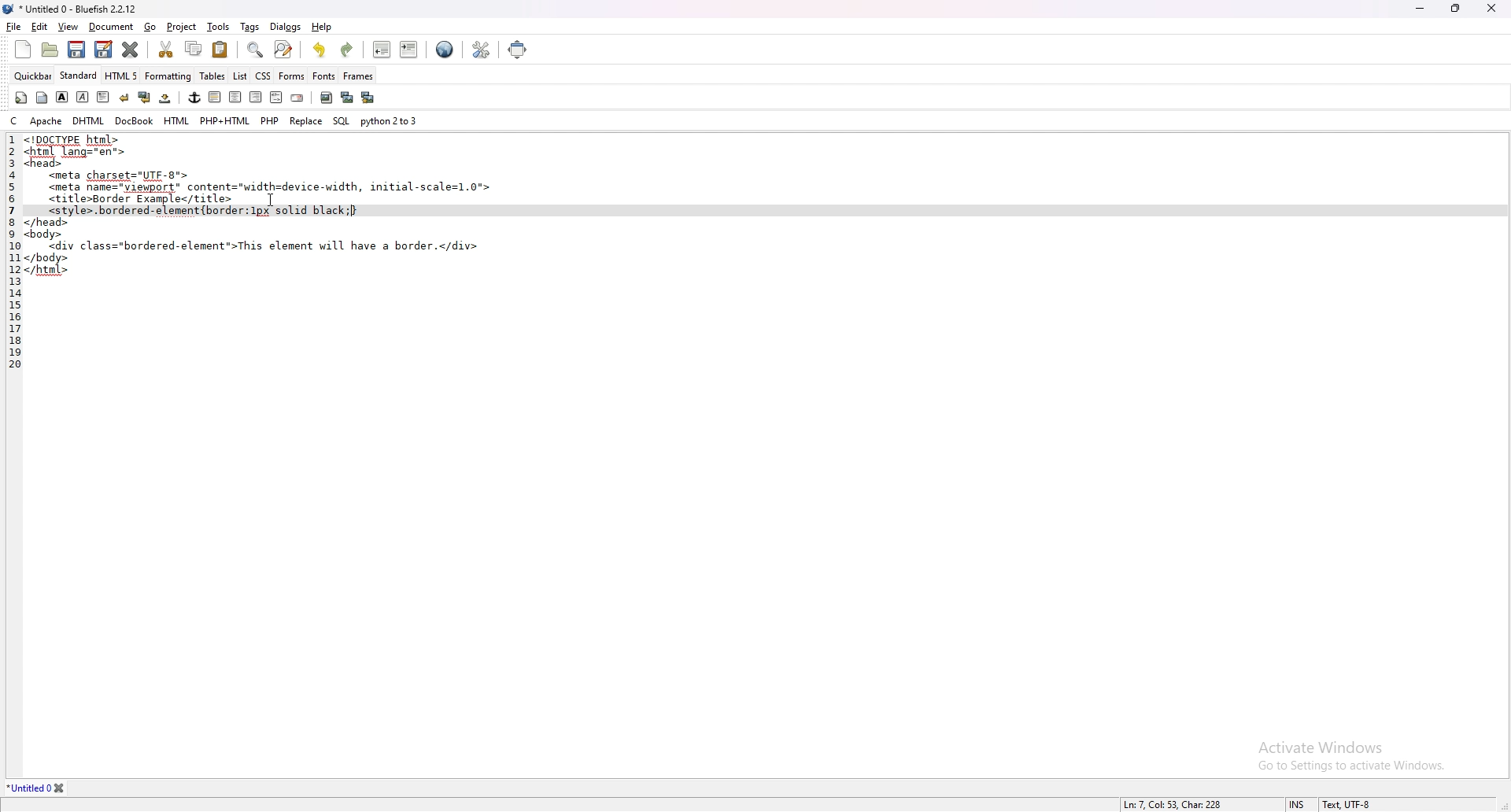 The width and height of the screenshot is (1511, 812). Describe the element at coordinates (218, 27) in the screenshot. I see `tools` at that location.